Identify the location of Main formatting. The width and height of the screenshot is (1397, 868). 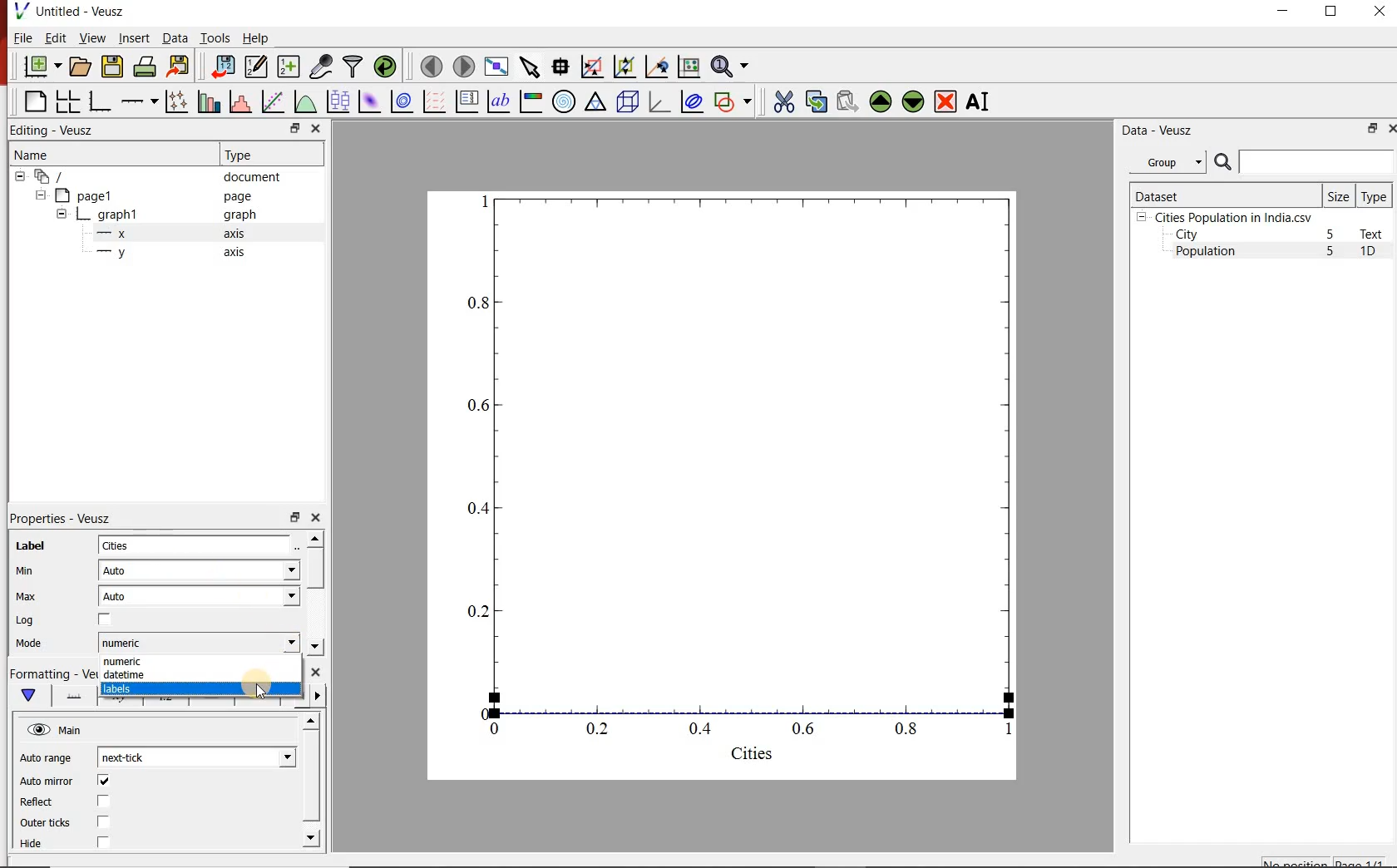
(32, 696).